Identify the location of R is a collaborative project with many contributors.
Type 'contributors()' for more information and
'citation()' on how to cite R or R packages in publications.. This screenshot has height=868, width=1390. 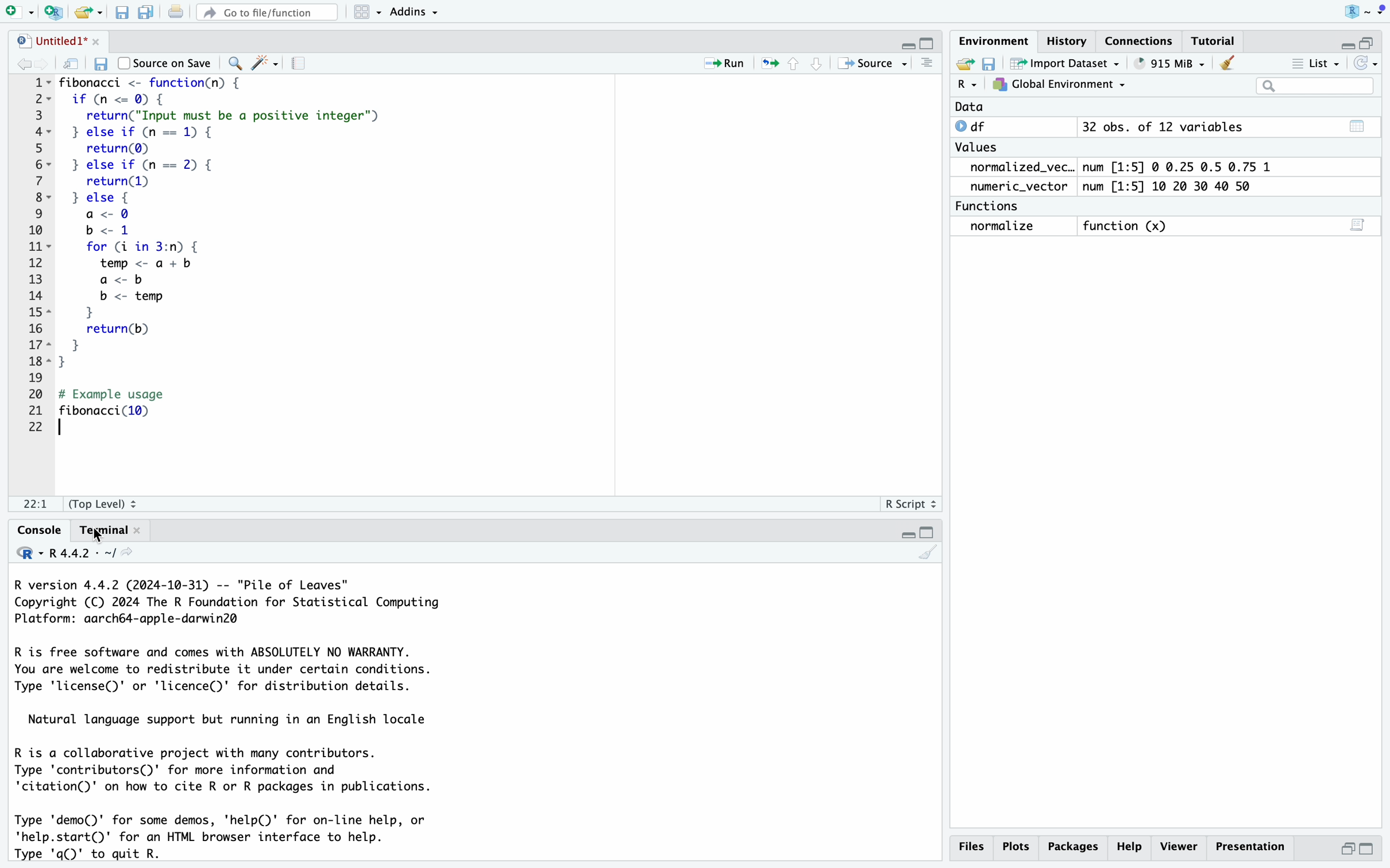
(235, 773).